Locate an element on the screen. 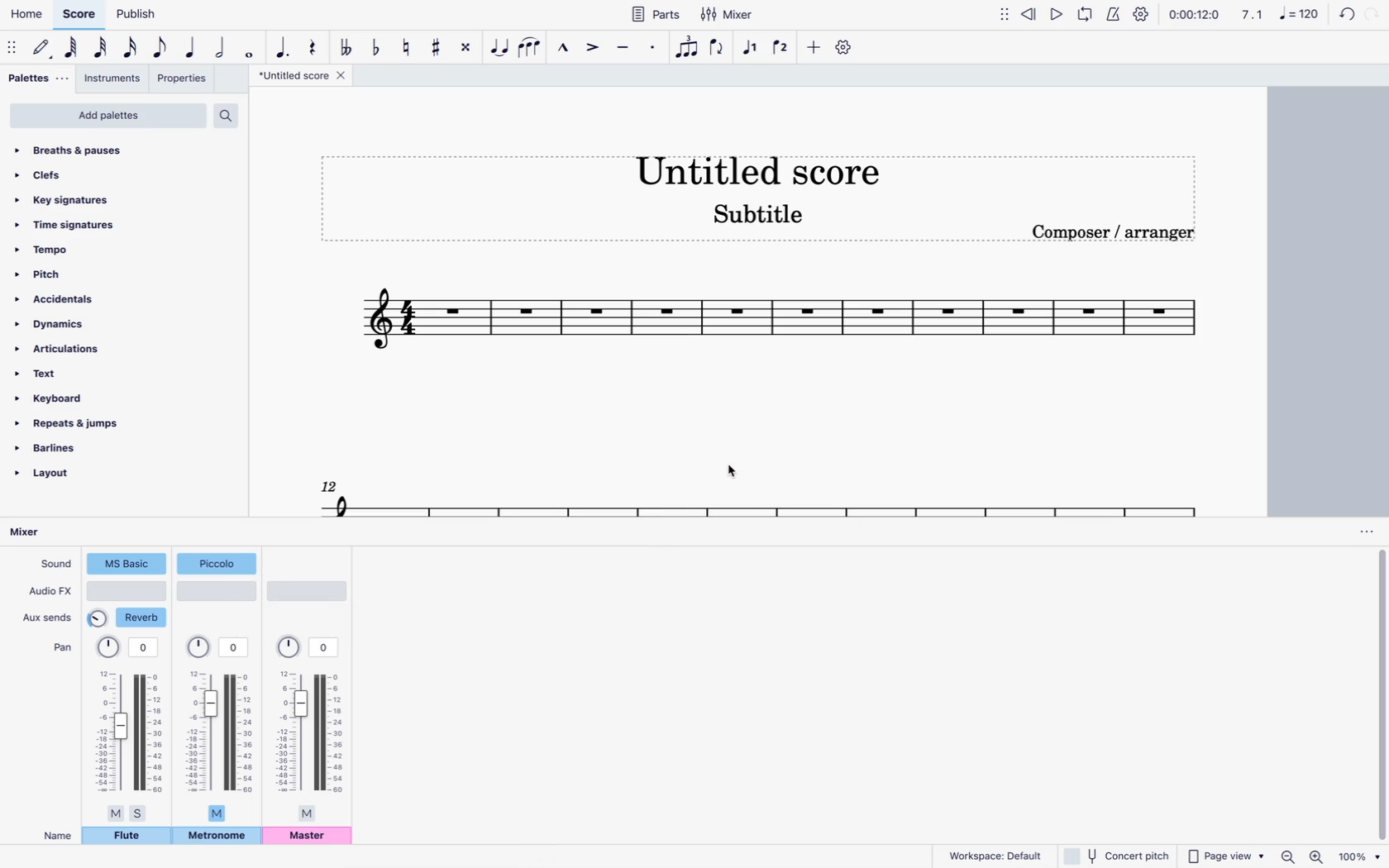  properties is located at coordinates (185, 81).